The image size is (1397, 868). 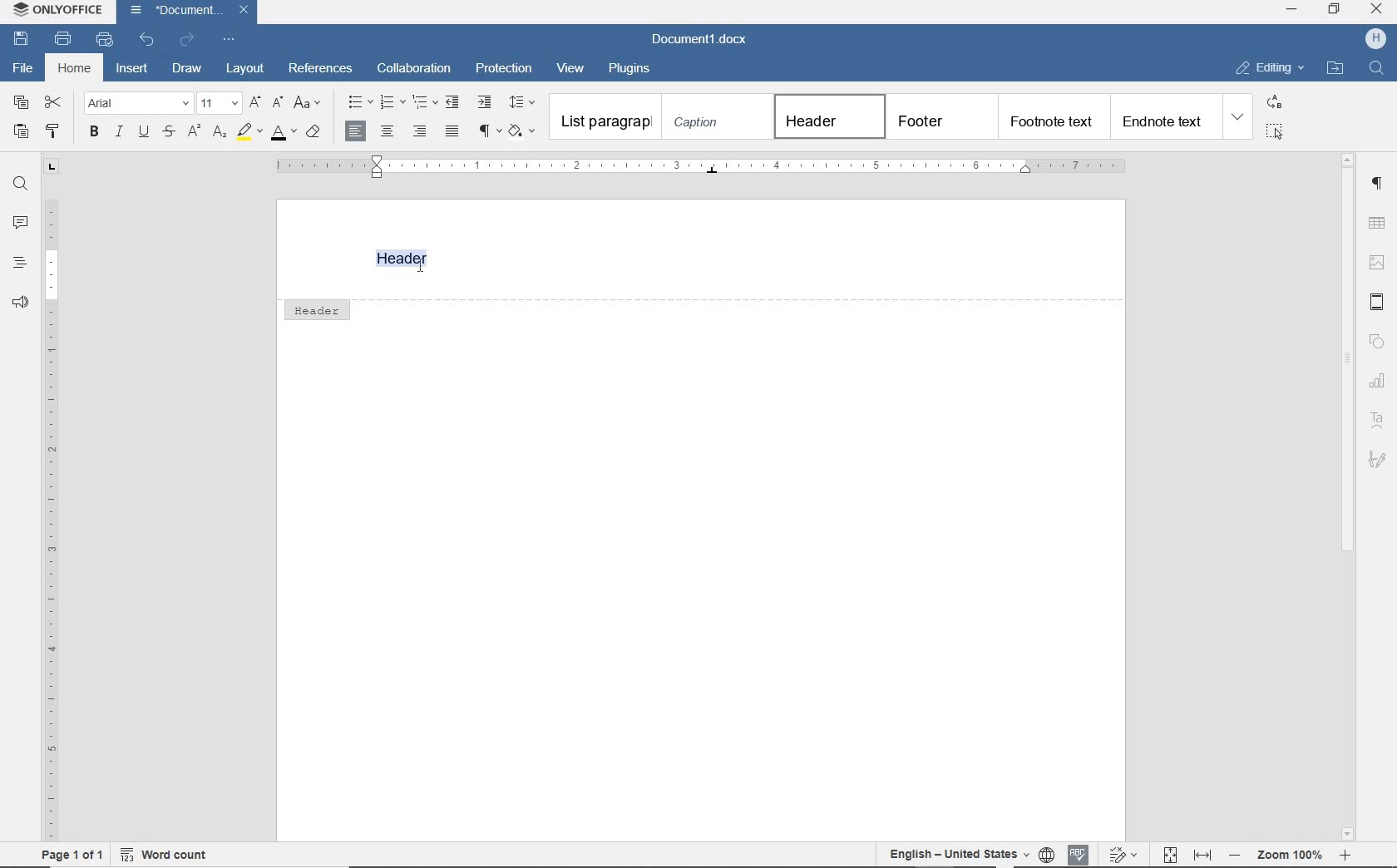 I want to click on FIND, so click(x=1375, y=70).